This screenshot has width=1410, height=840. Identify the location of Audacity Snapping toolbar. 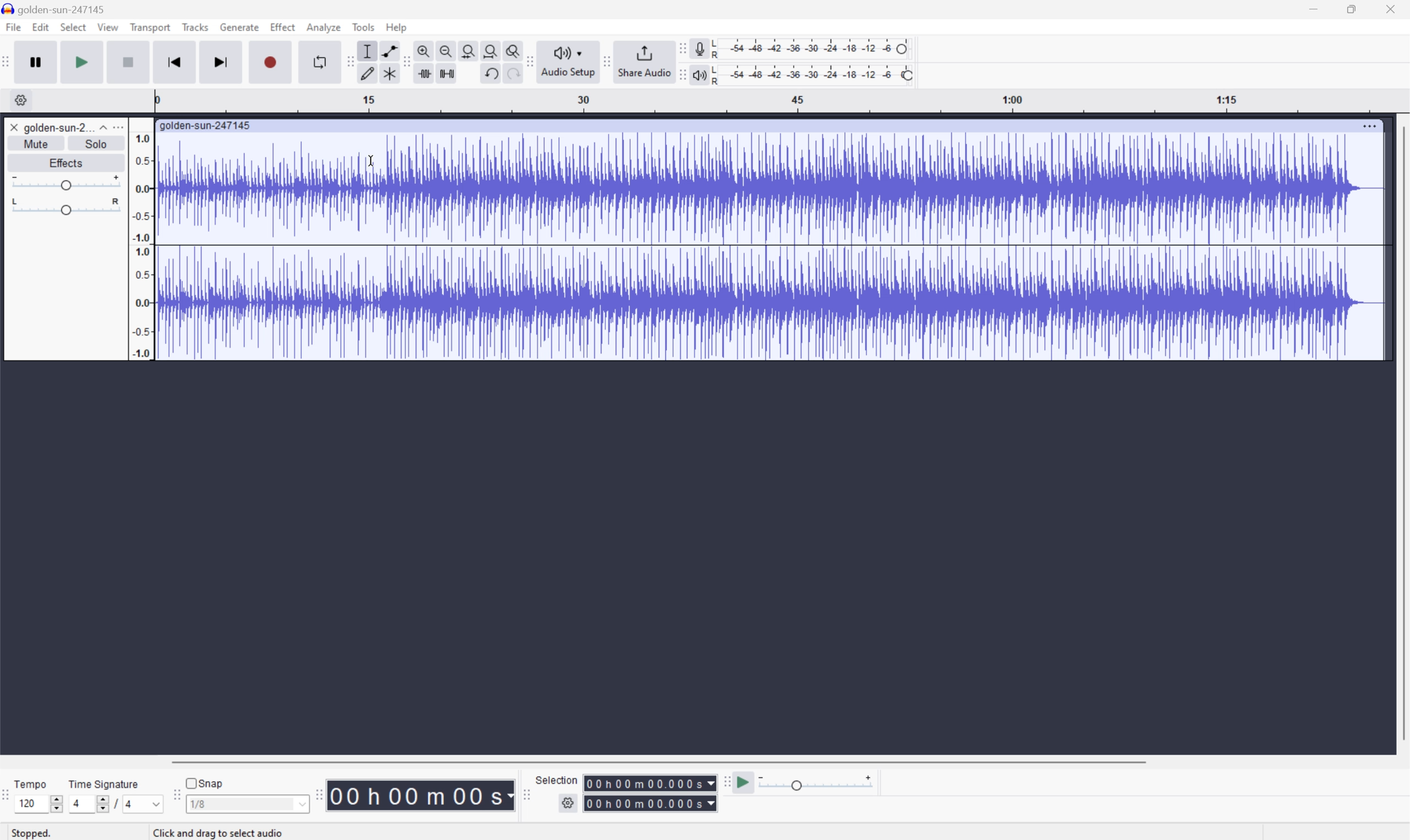
(174, 799).